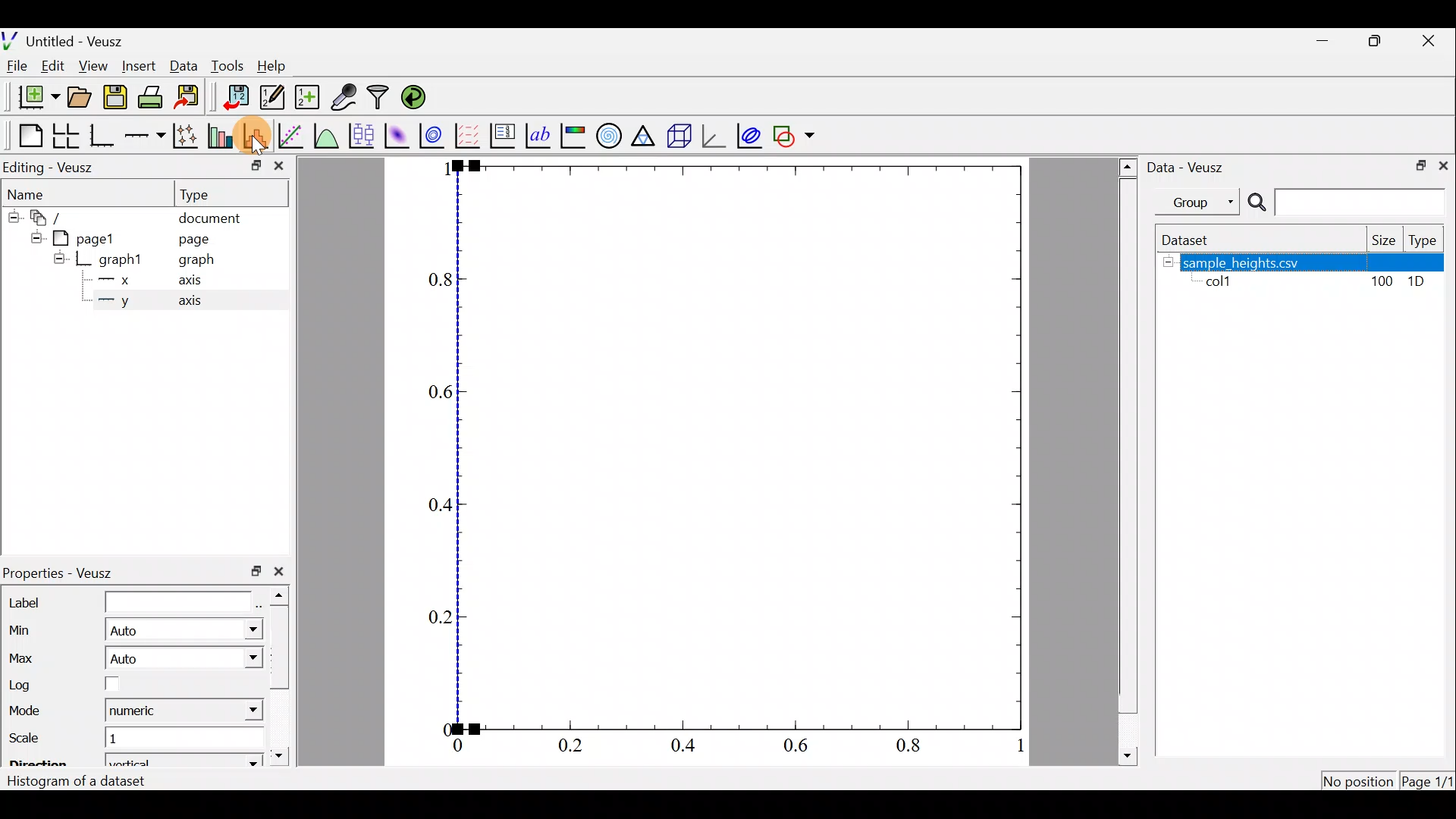 This screenshot has height=819, width=1456. Describe the element at coordinates (227, 66) in the screenshot. I see `Tools` at that location.